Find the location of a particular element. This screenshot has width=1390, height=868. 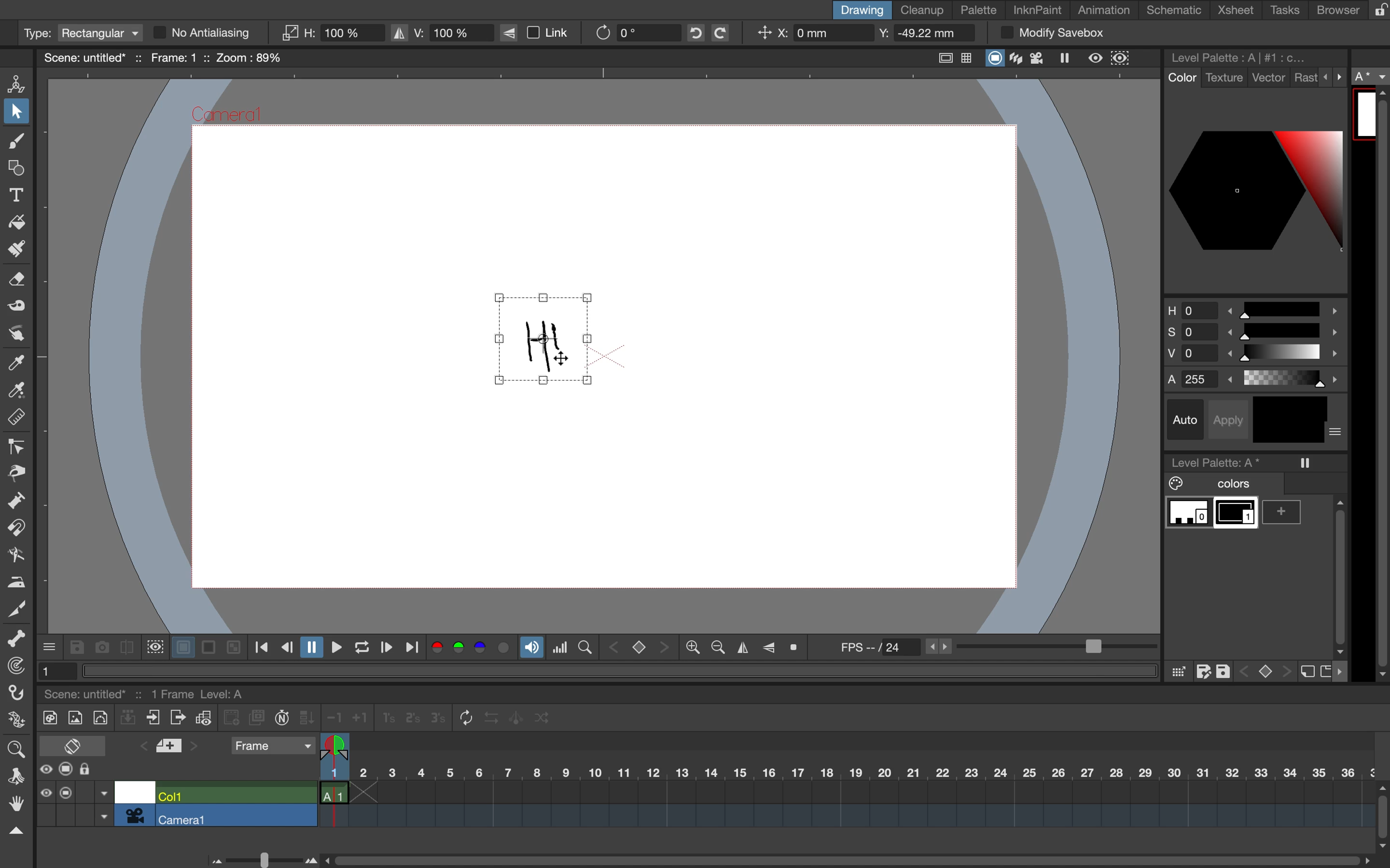

repeat is located at coordinates (462, 719).